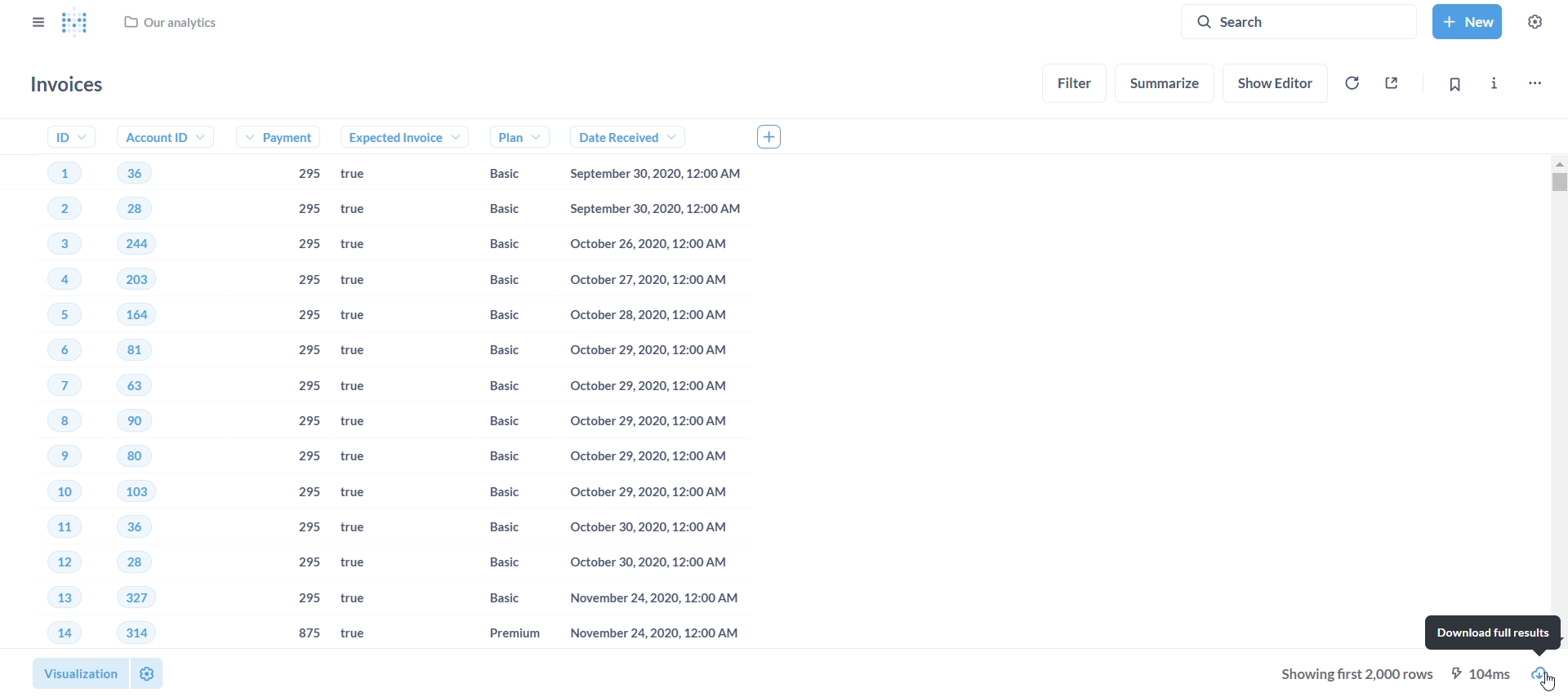 The width and height of the screenshot is (1568, 697). Describe the element at coordinates (146, 673) in the screenshot. I see `settings` at that location.